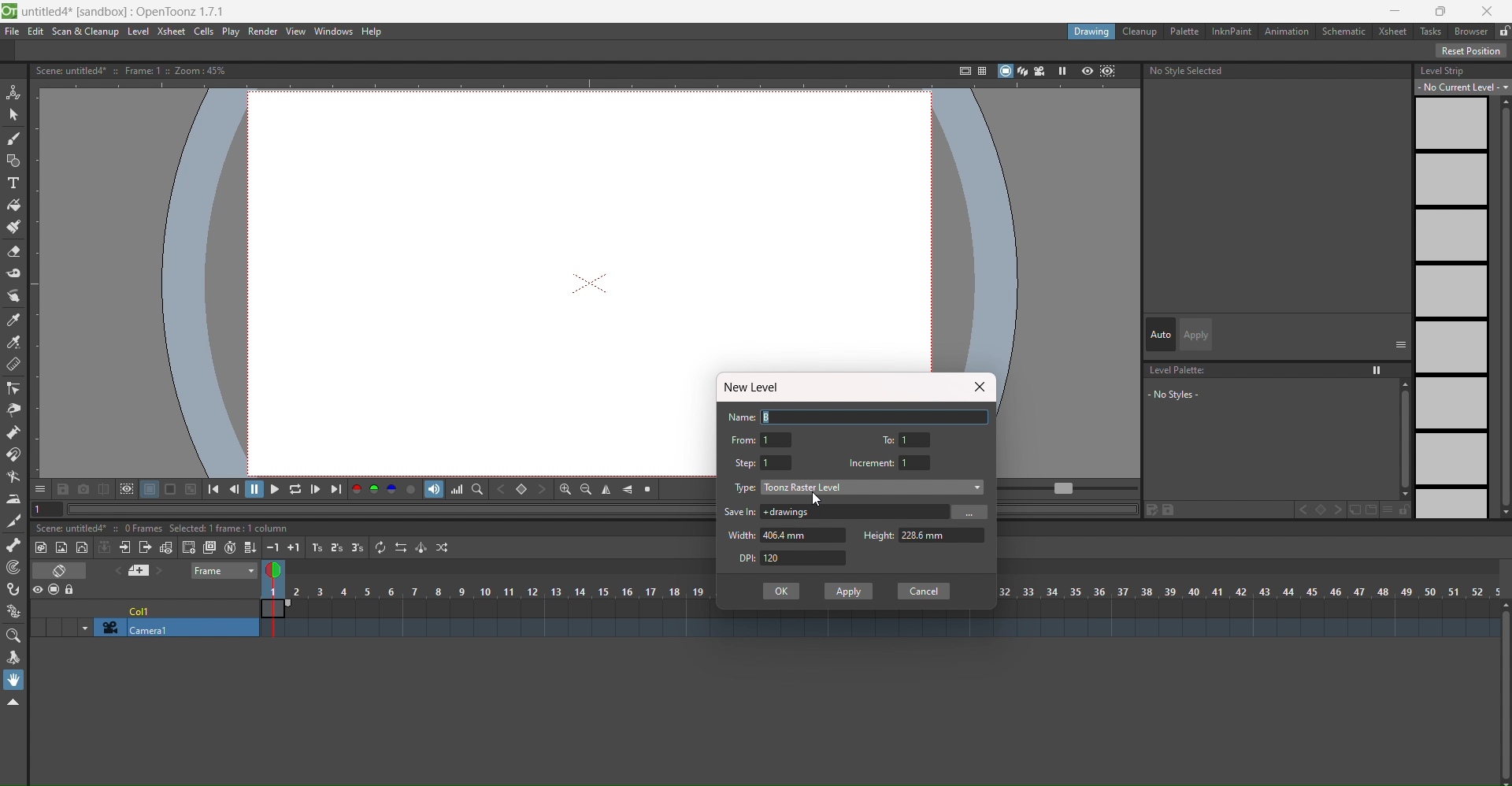 The image size is (1512, 786). I want to click on no current level, so click(1464, 87).